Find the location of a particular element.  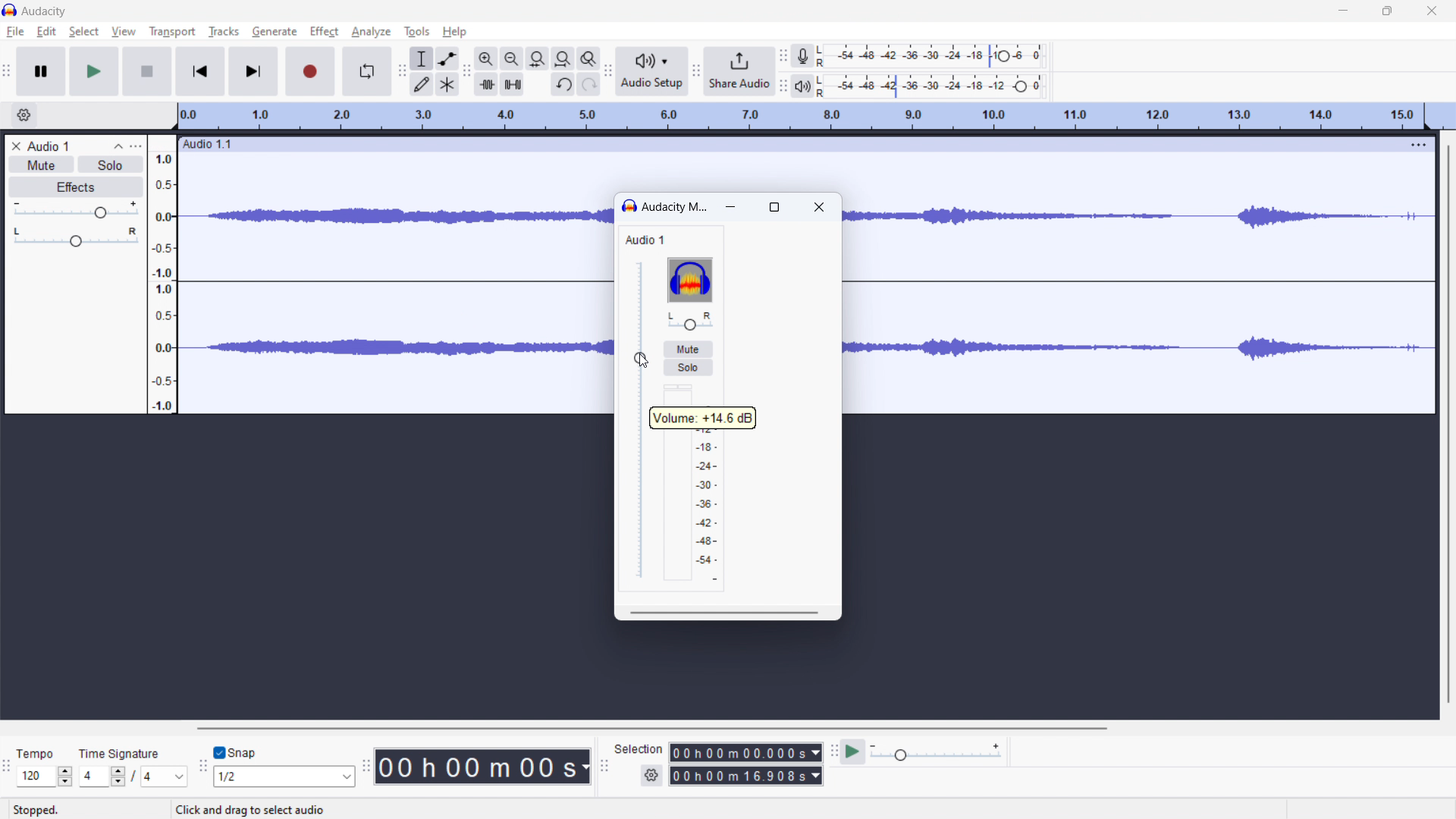

delete is located at coordinates (16, 146).